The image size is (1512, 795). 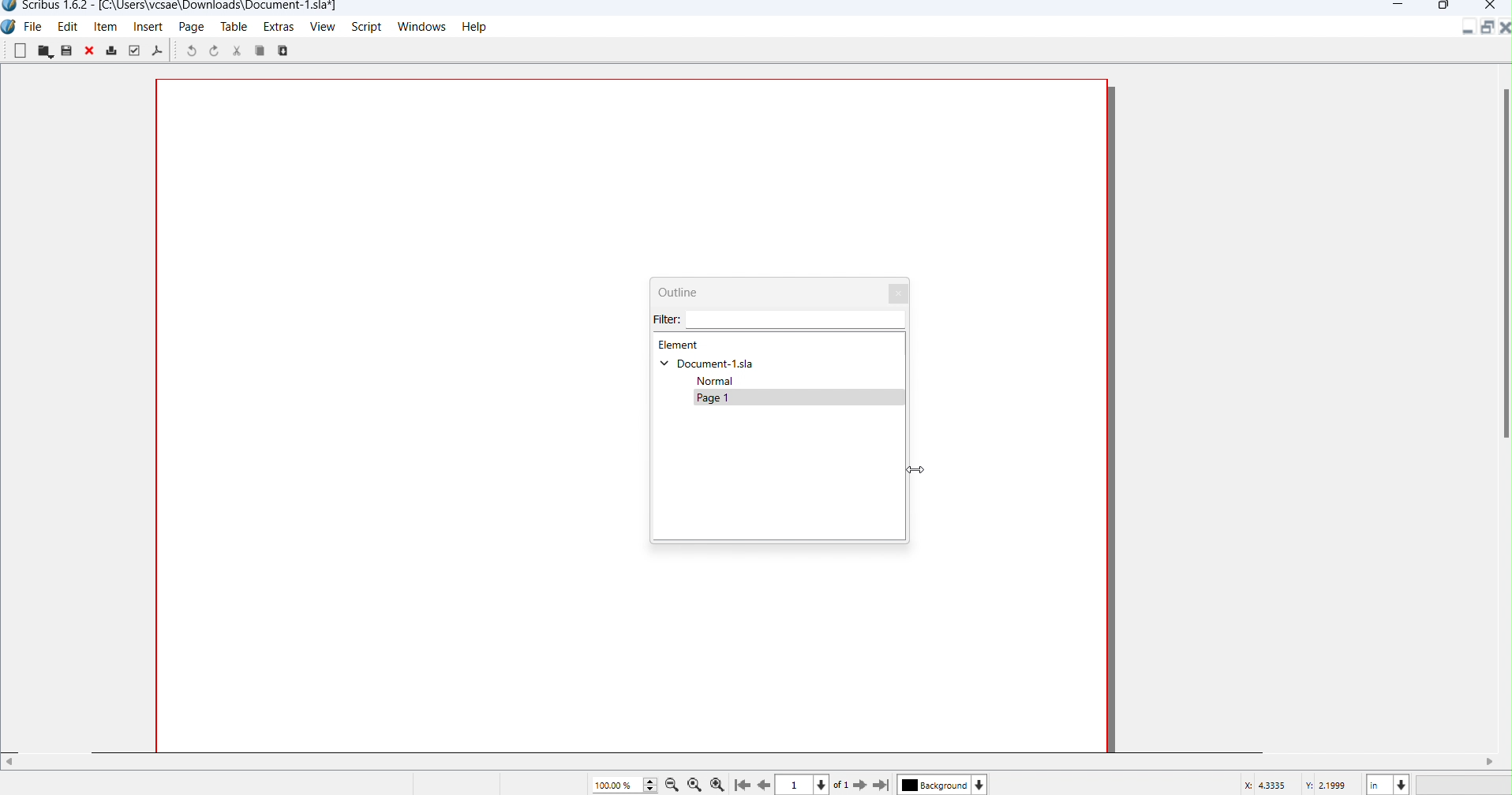 I want to click on , so click(x=262, y=51).